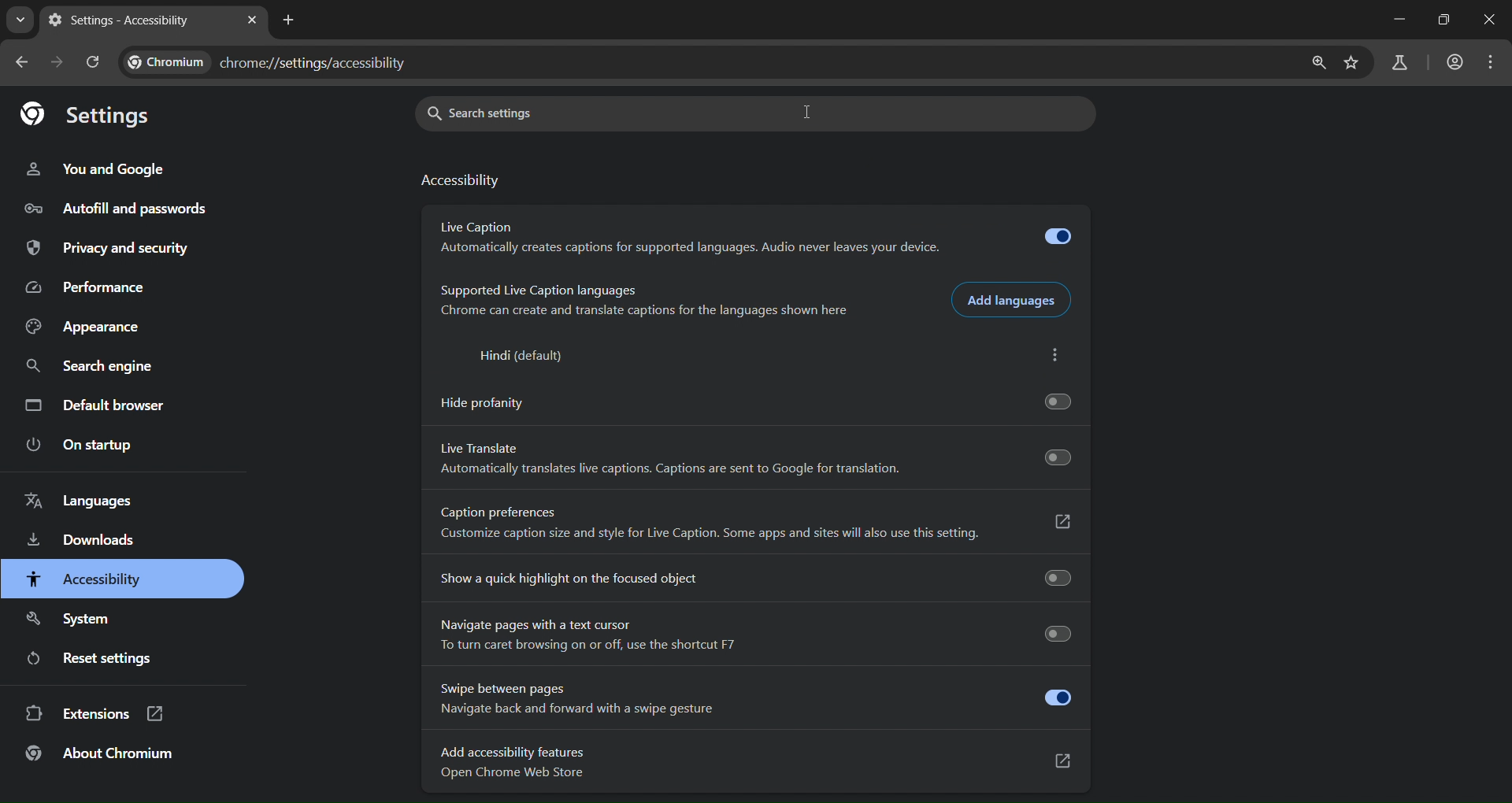  What do you see at coordinates (751, 635) in the screenshot?
I see `Navigate pages with a text cursor
To turn caret browsing on or off, use the shortcut F7` at bounding box center [751, 635].